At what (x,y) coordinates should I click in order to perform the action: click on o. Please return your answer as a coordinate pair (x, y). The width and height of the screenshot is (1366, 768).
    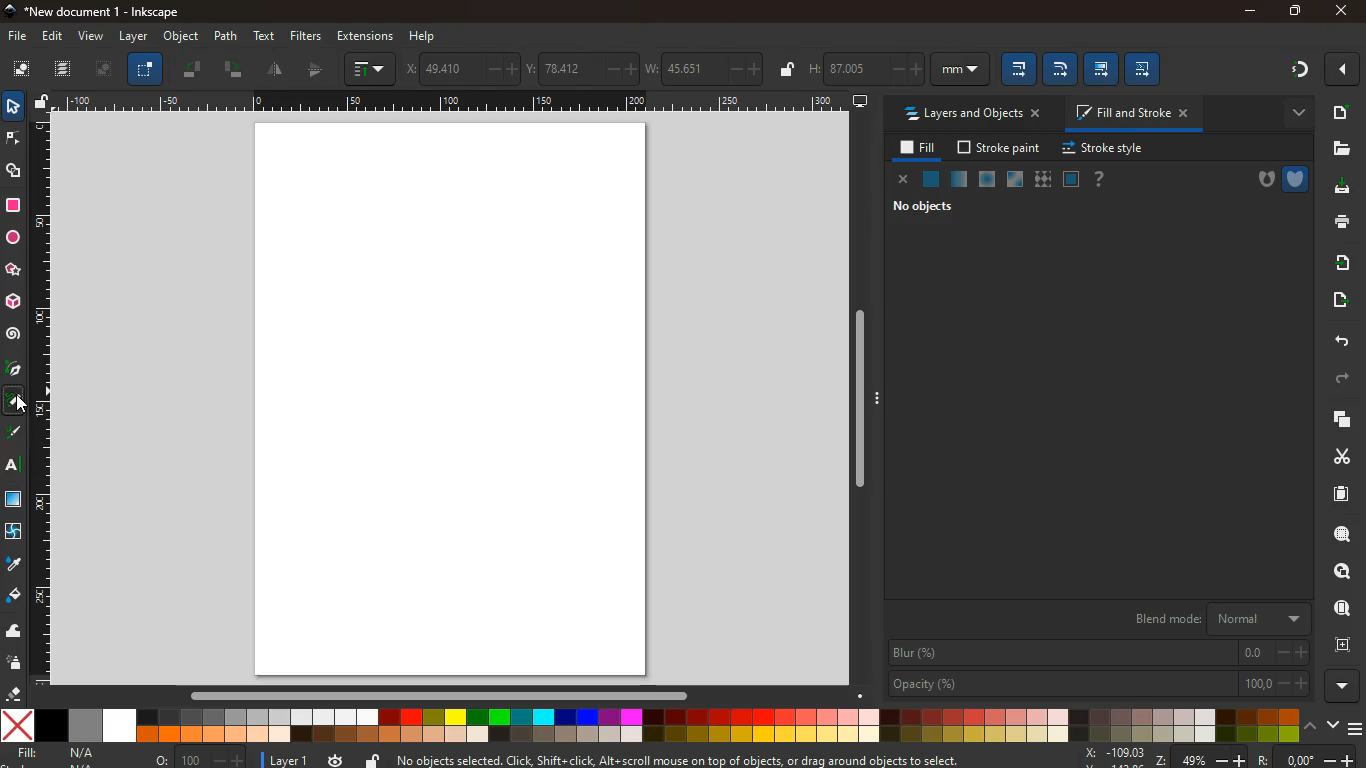
    Looking at the image, I should click on (200, 759).